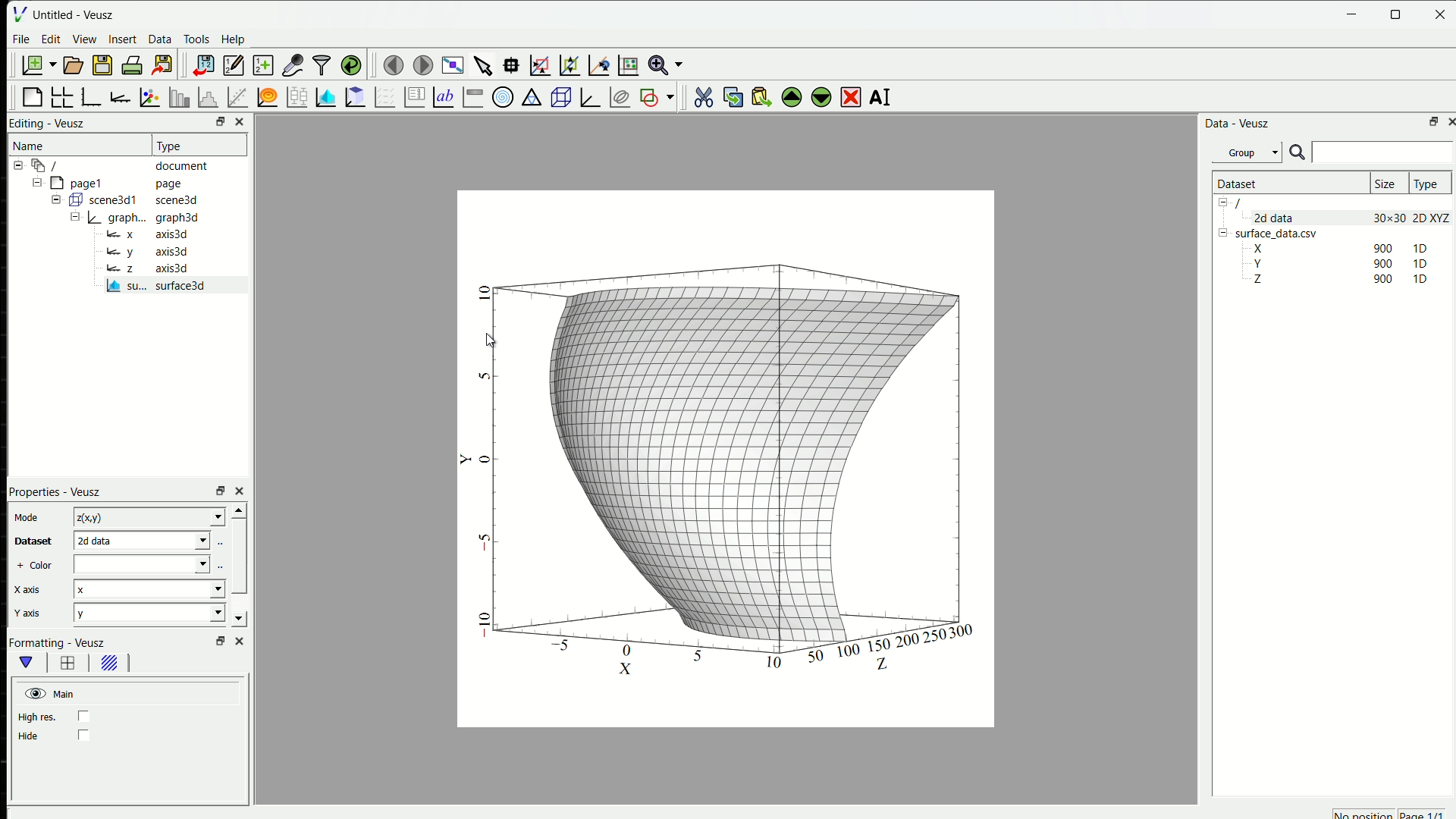 The height and width of the screenshot is (819, 1456). What do you see at coordinates (221, 490) in the screenshot?
I see `open in separate window` at bounding box center [221, 490].